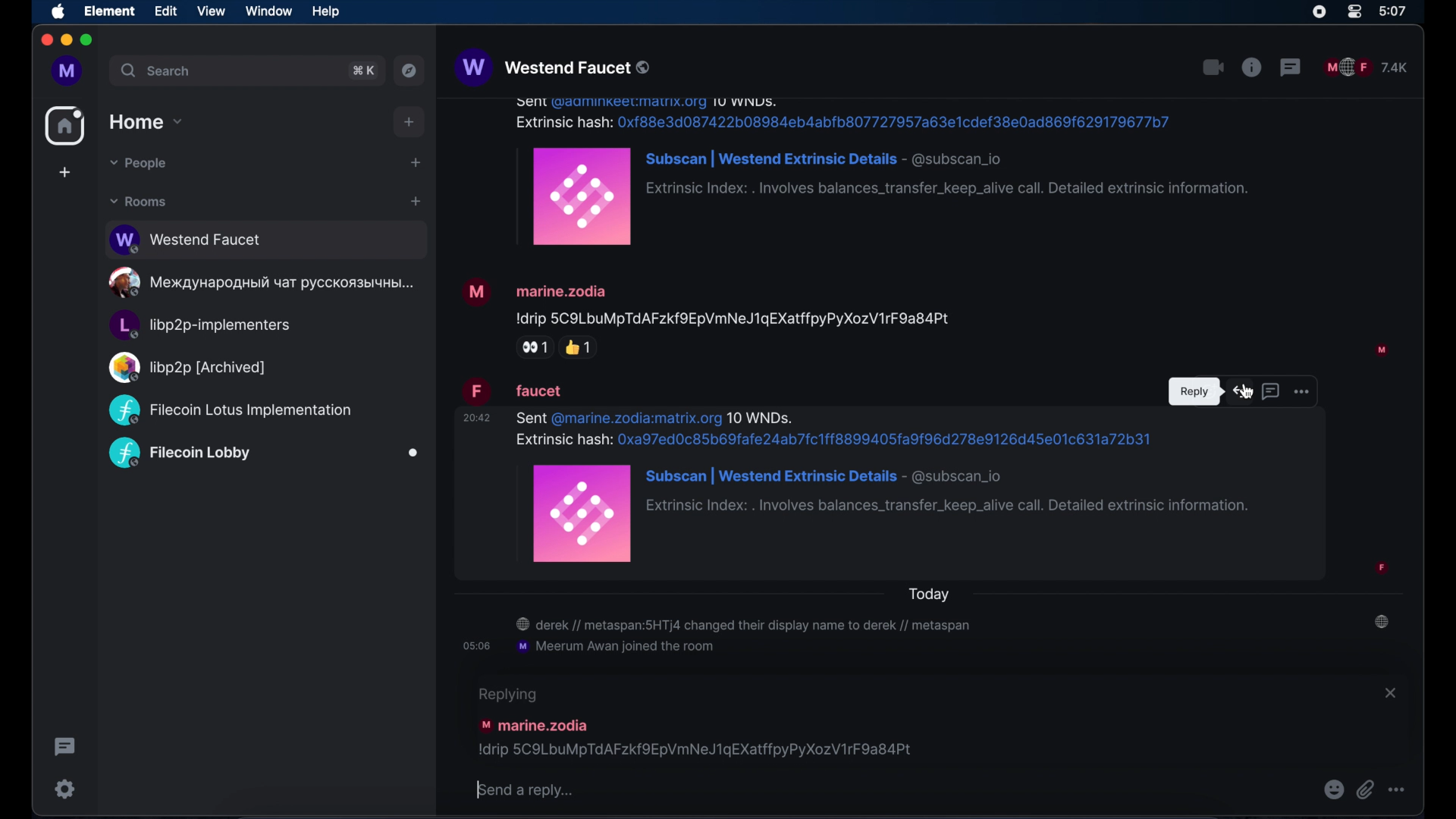 The image size is (1456, 819). What do you see at coordinates (698, 722) in the screenshot?
I see `replying to this message` at bounding box center [698, 722].